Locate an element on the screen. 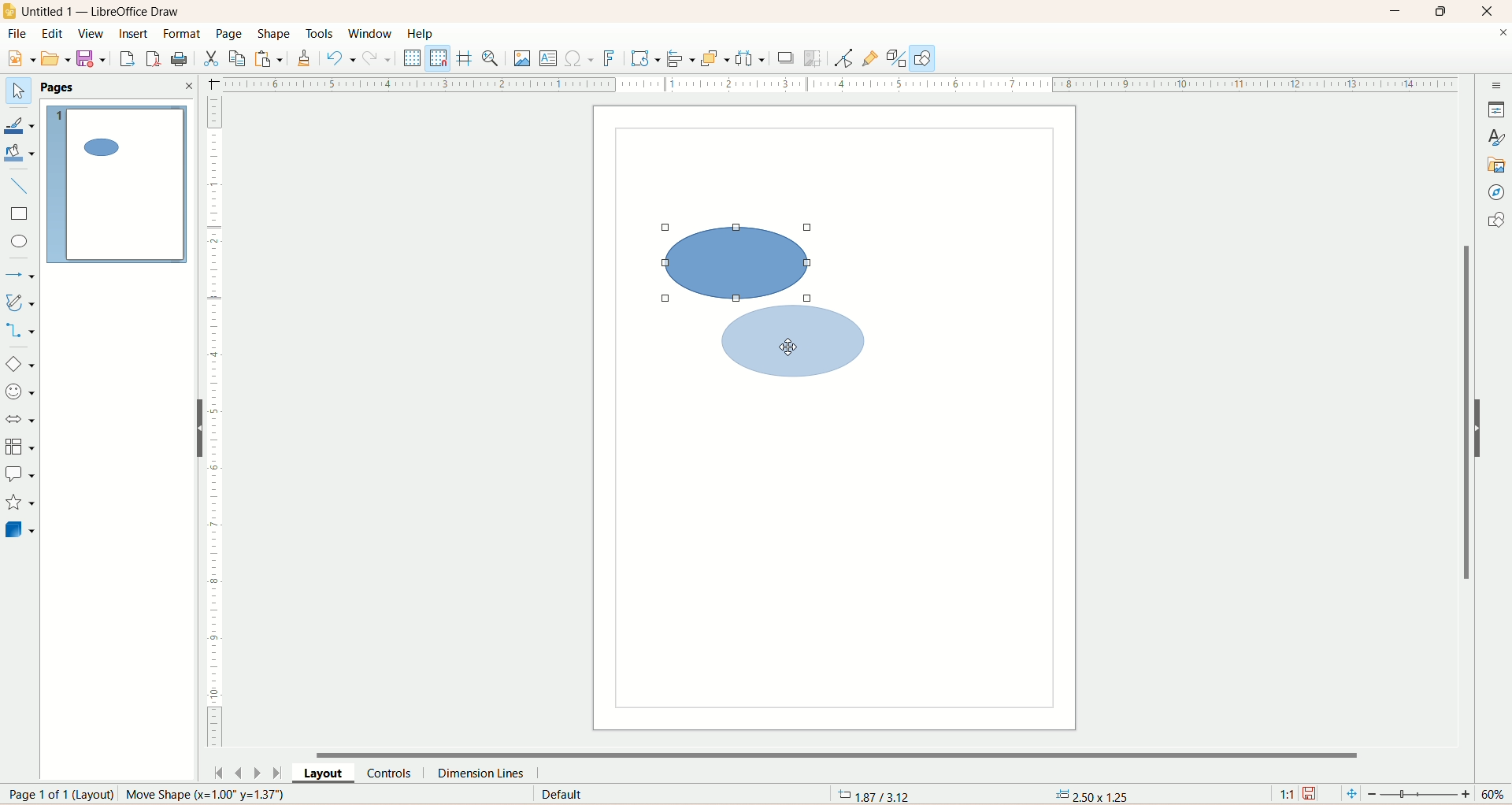  cursor is located at coordinates (787, 347).